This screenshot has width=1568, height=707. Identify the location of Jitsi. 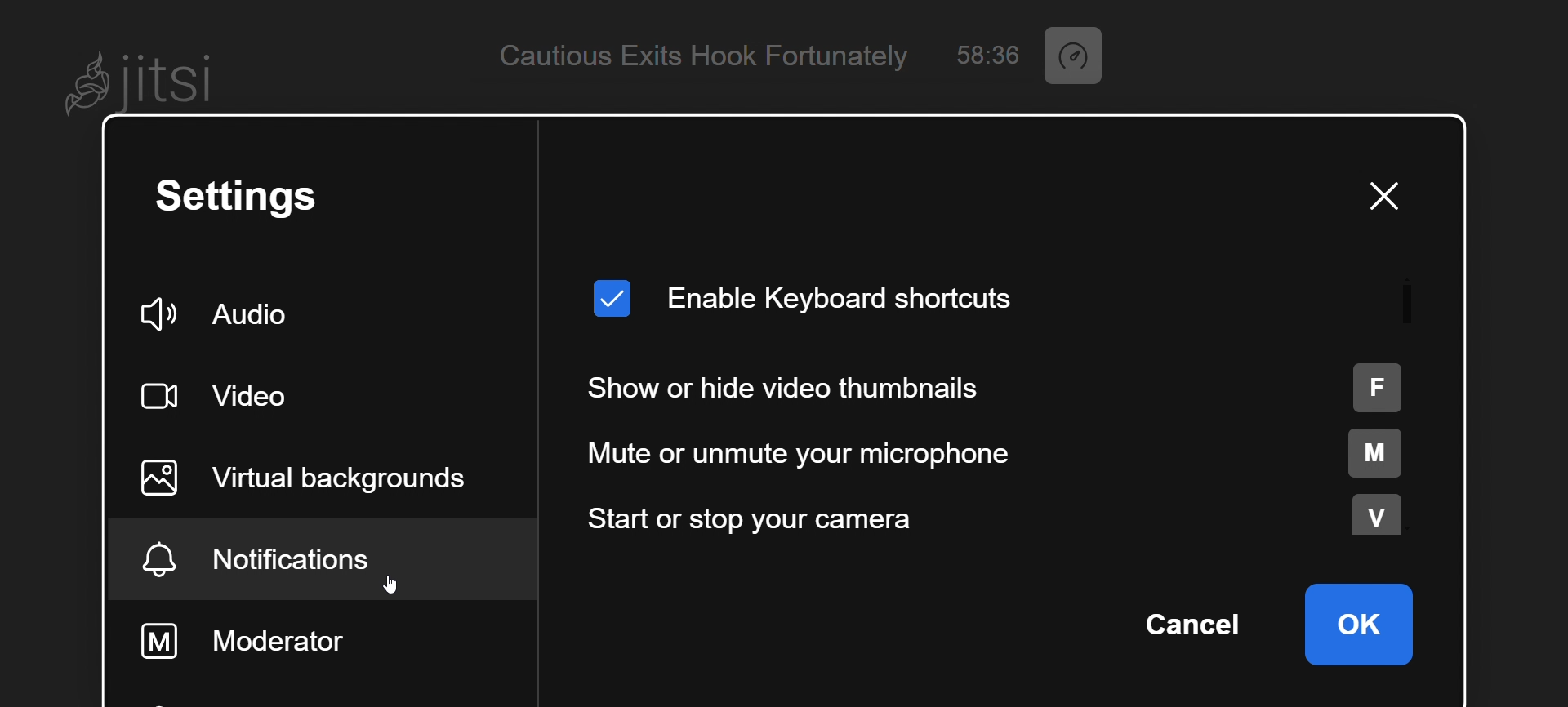
(146, 79).